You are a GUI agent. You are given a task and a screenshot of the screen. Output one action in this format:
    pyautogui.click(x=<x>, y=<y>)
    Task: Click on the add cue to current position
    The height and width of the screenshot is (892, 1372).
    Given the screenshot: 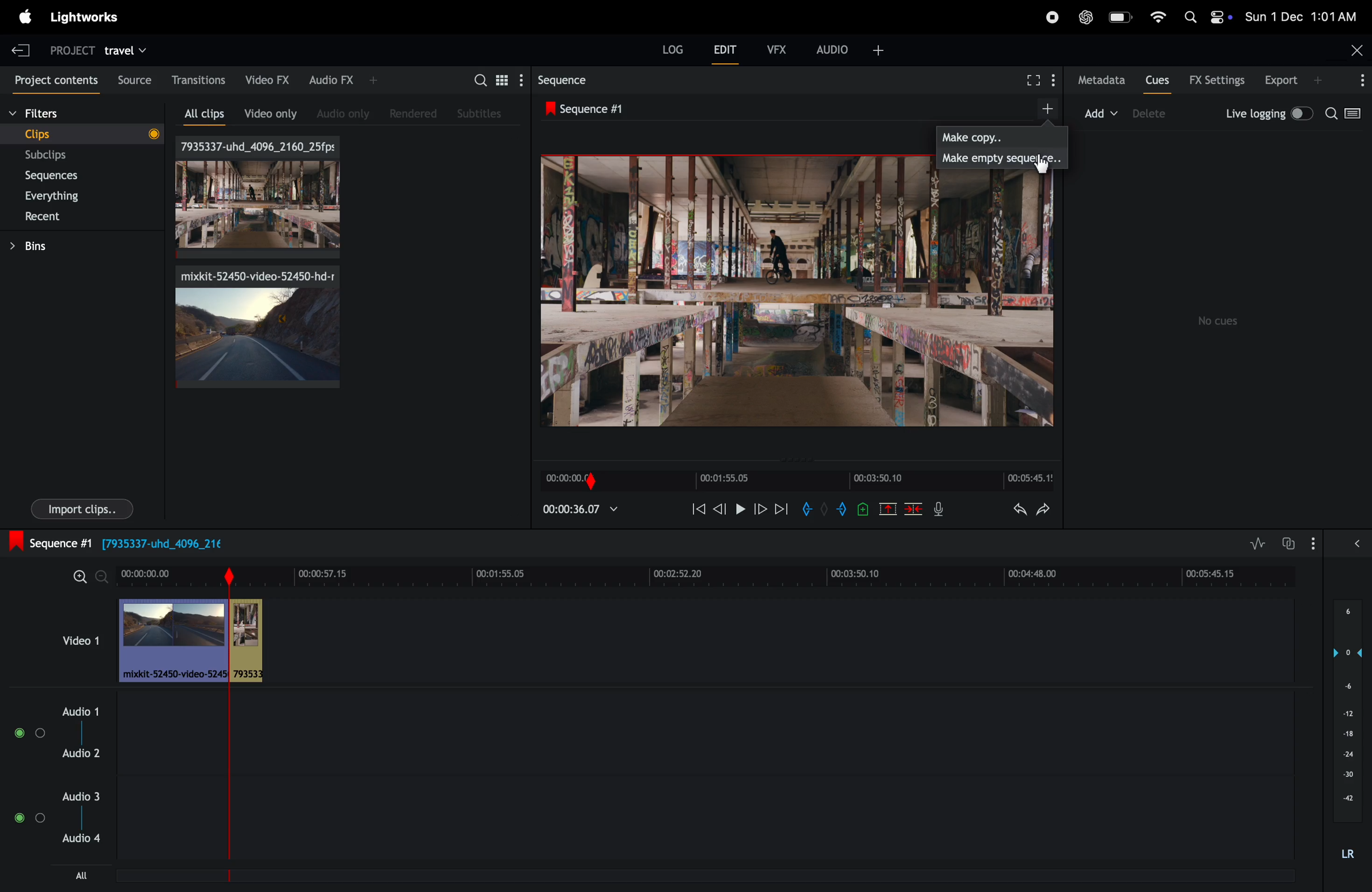 What is the action you would take?
    pyautogui.click(x=863, y=512)
    